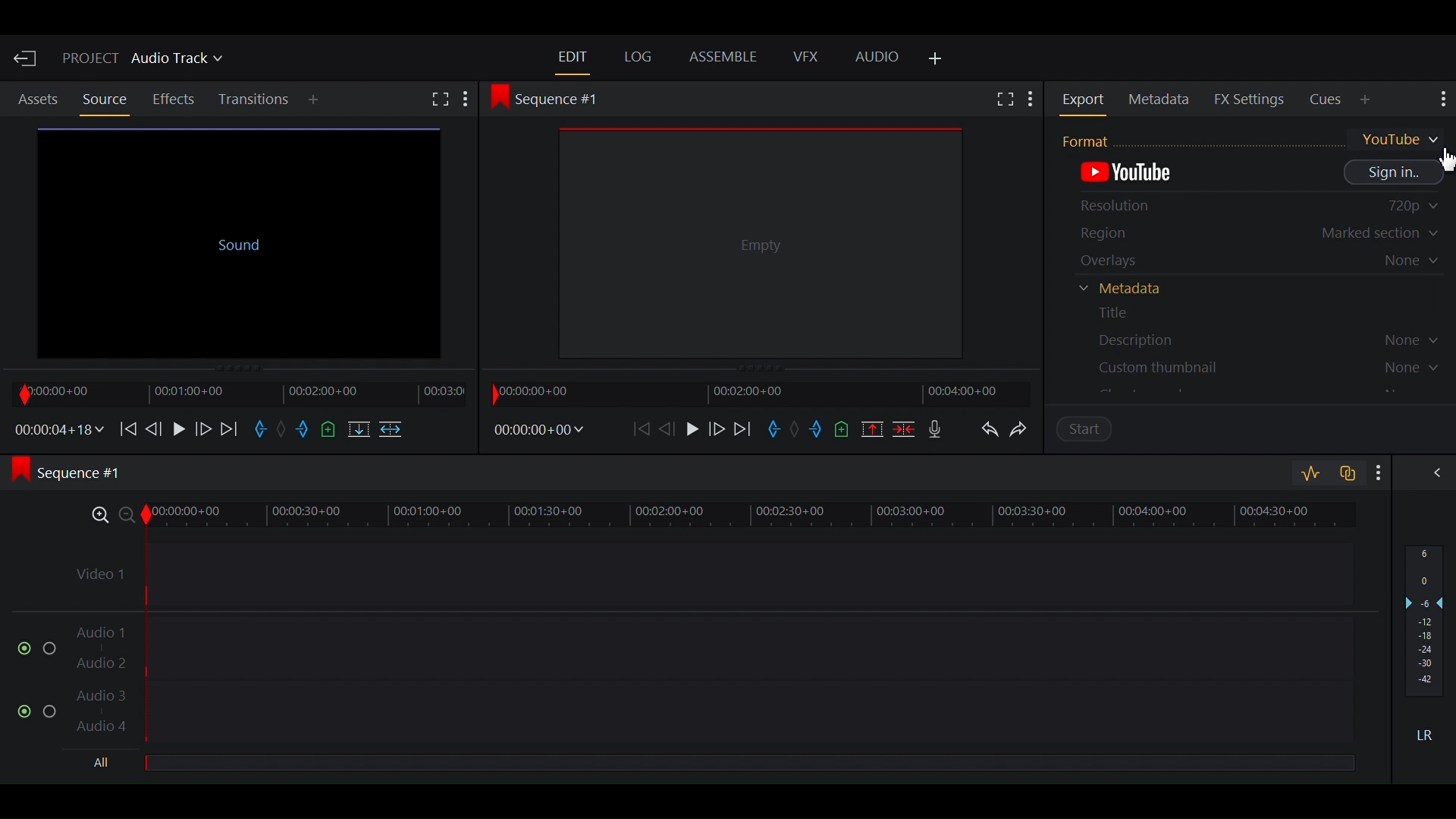 This screenshot has height=819, width=1456. Describe the element at coordinates (104, 99) in the screenshot. I see `Source` at that location.